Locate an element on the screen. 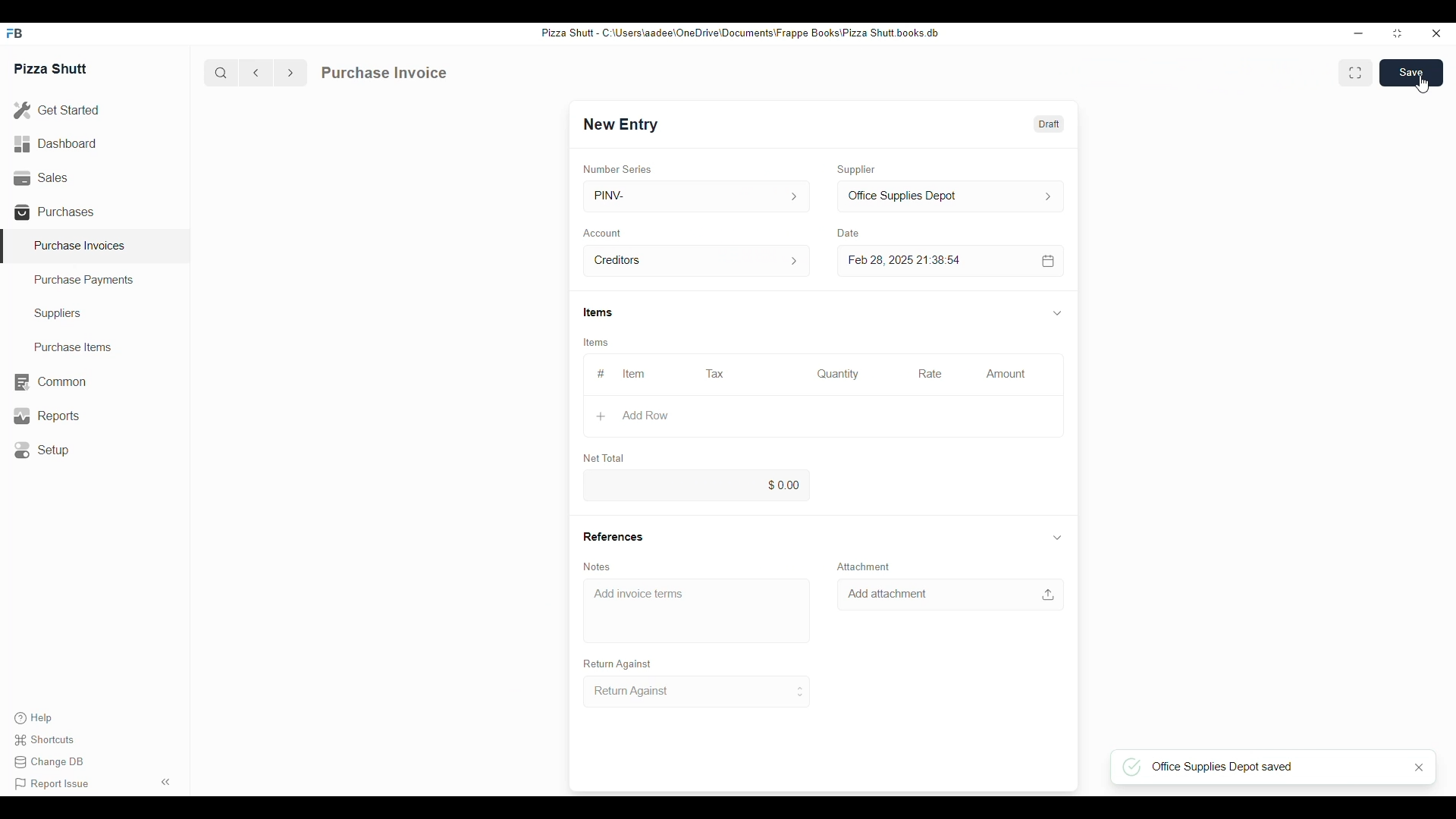  Office Supplies Depot saved is located at coordinates (1249, 767).